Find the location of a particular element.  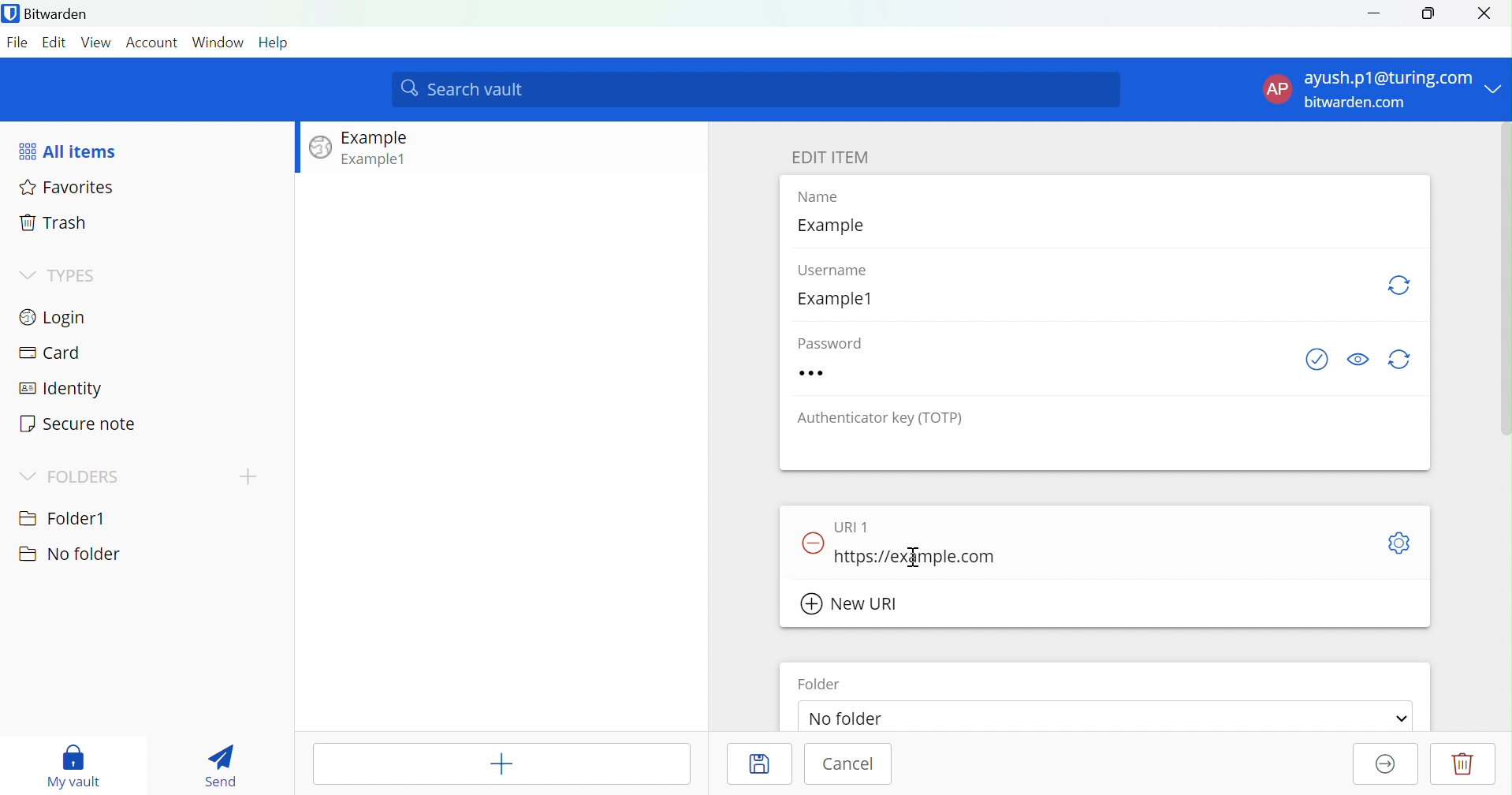

Minimize is located at coordinates (1373, 12).